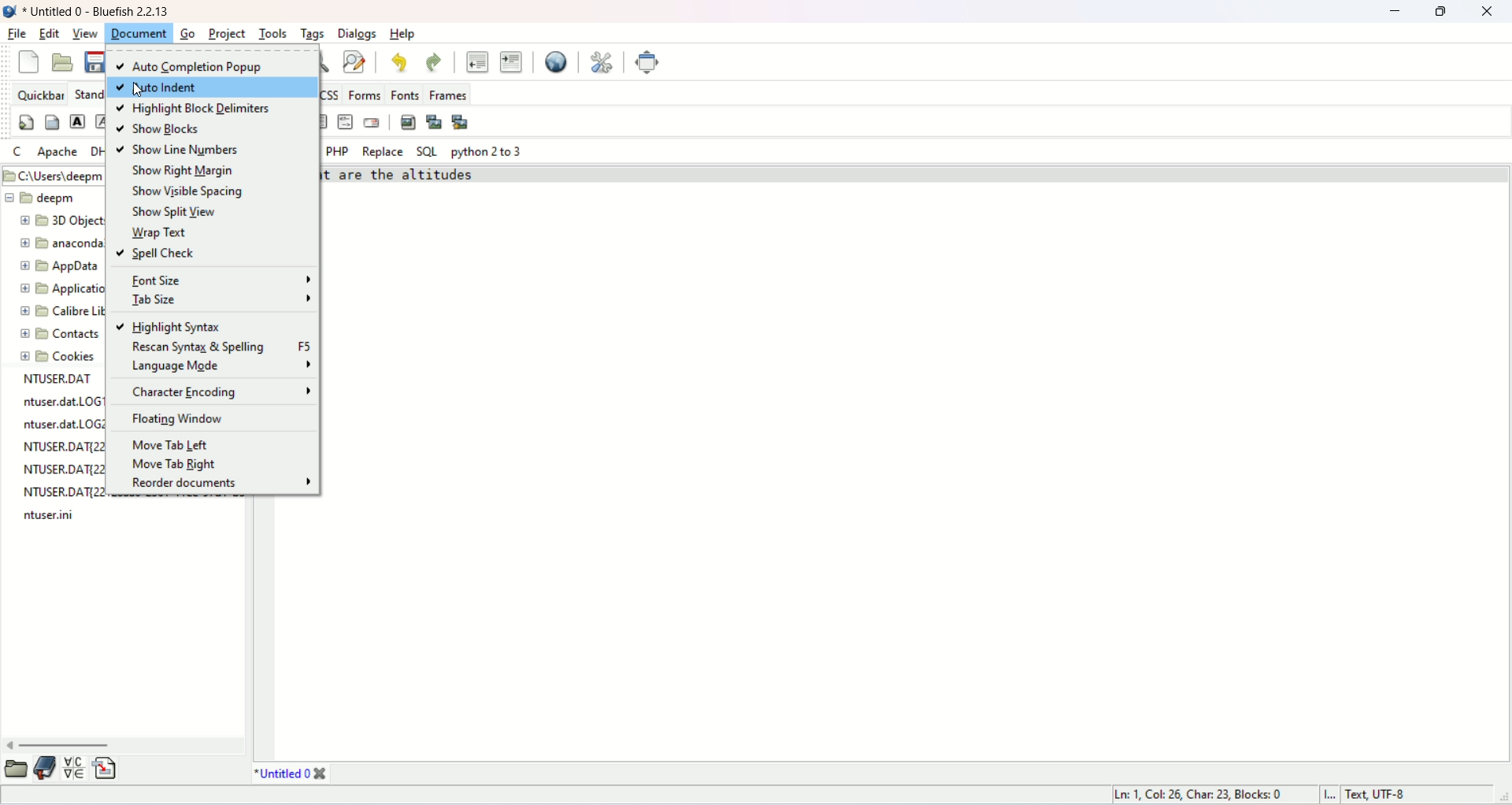  I want to click on calibre, so click(57, 313).